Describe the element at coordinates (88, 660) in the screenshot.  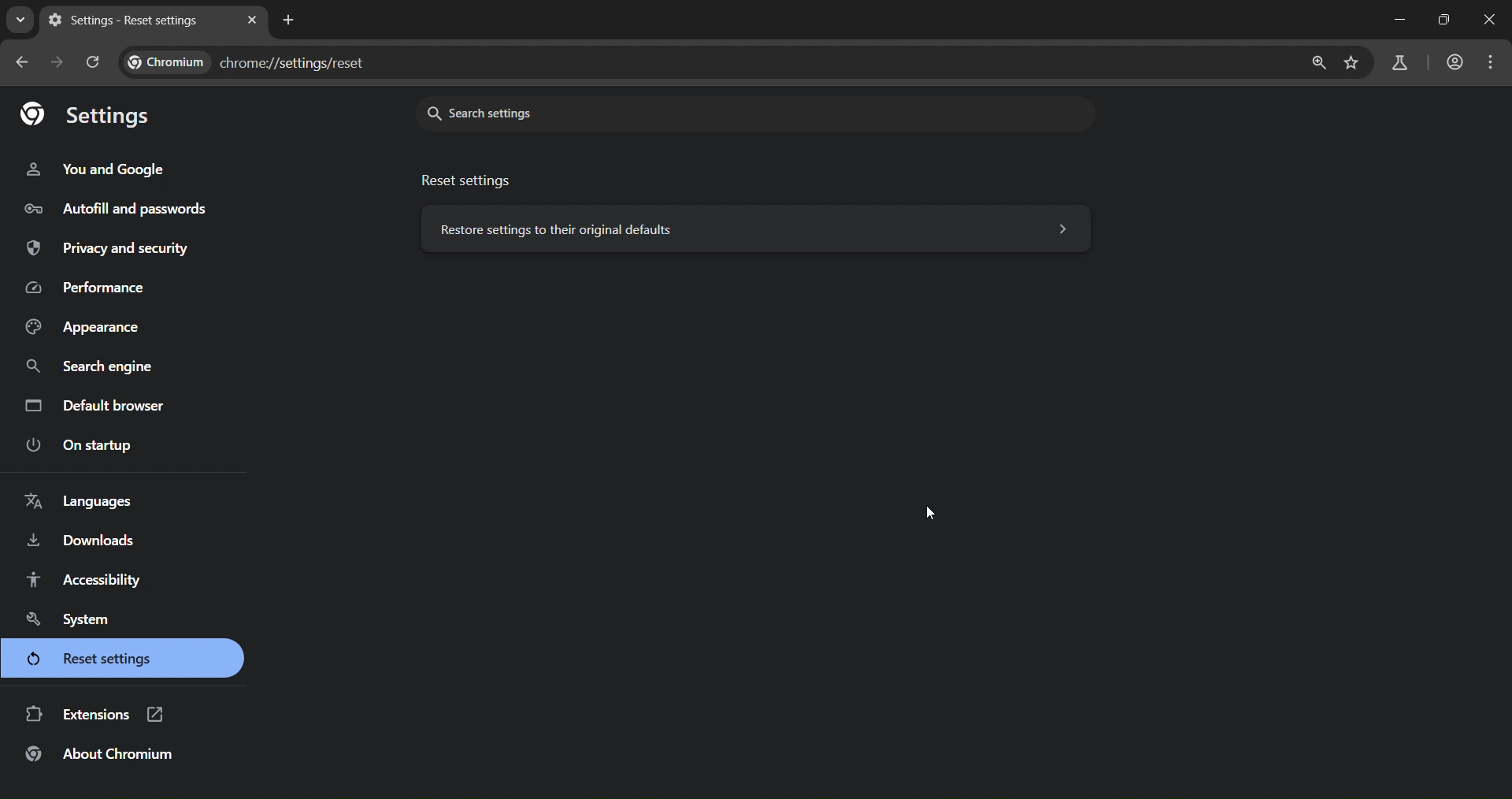
I see `reset settings` at that location.